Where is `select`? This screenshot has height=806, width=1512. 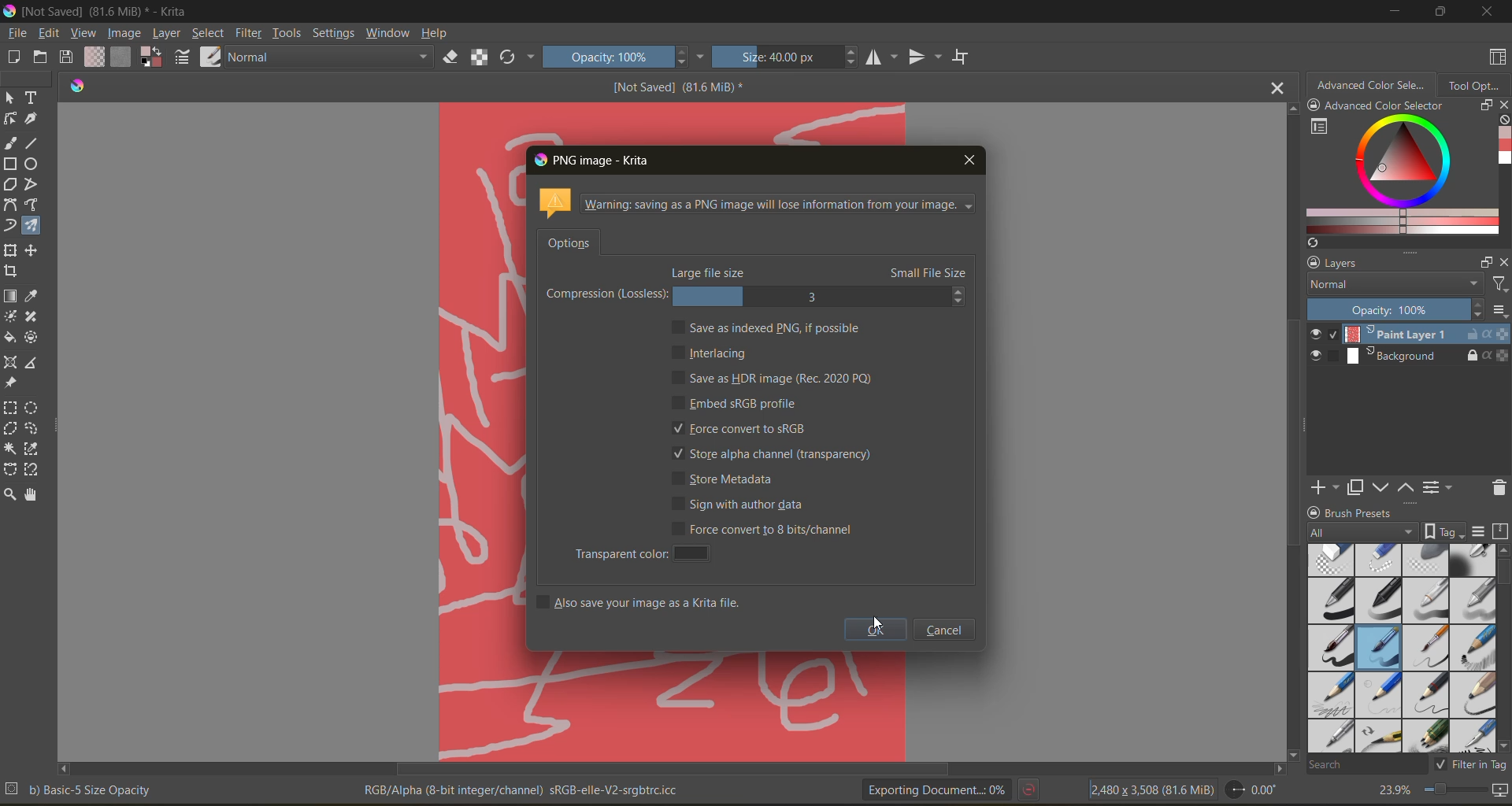
select is located at coordinates (206, 34).